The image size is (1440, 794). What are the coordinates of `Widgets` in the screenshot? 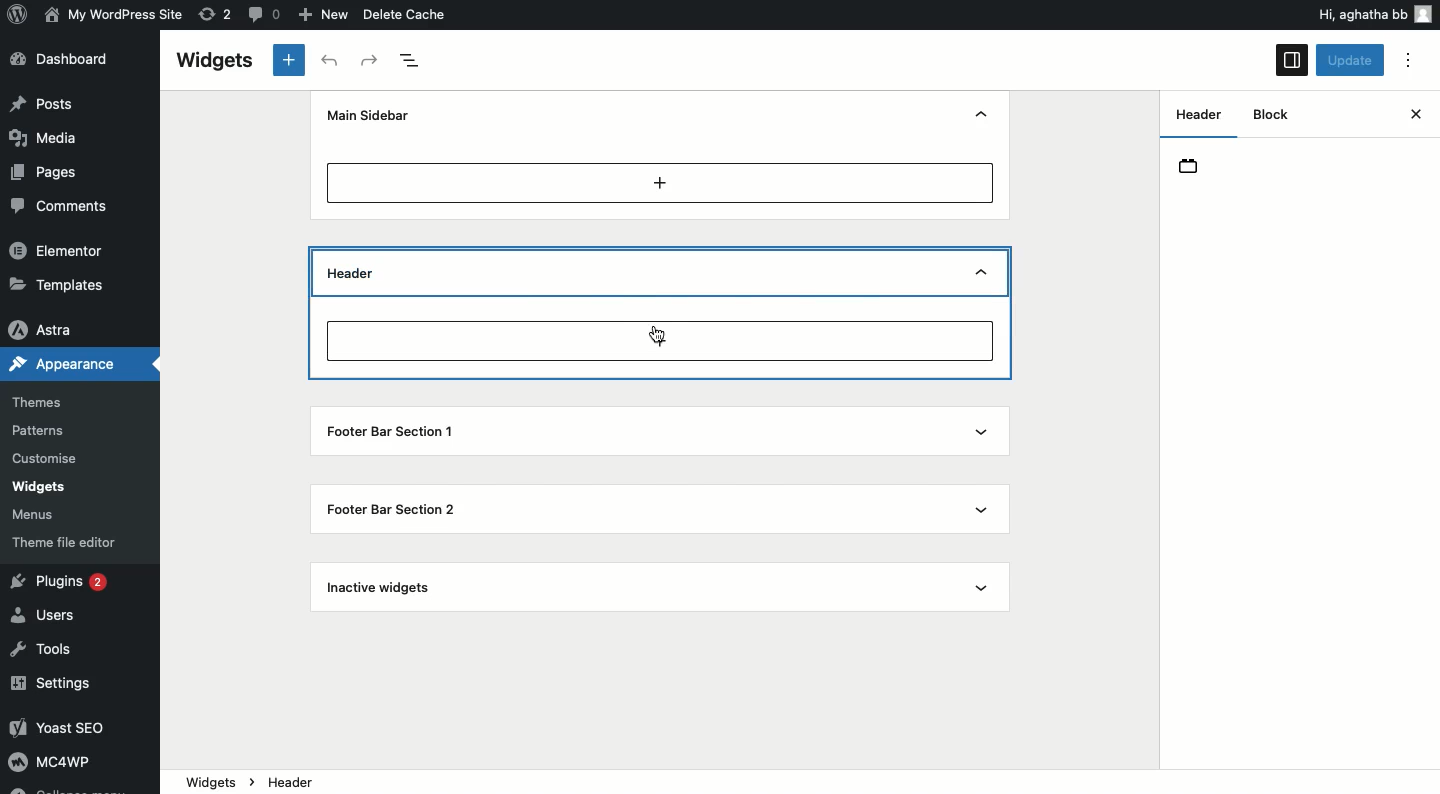 It's located at (213, 61).